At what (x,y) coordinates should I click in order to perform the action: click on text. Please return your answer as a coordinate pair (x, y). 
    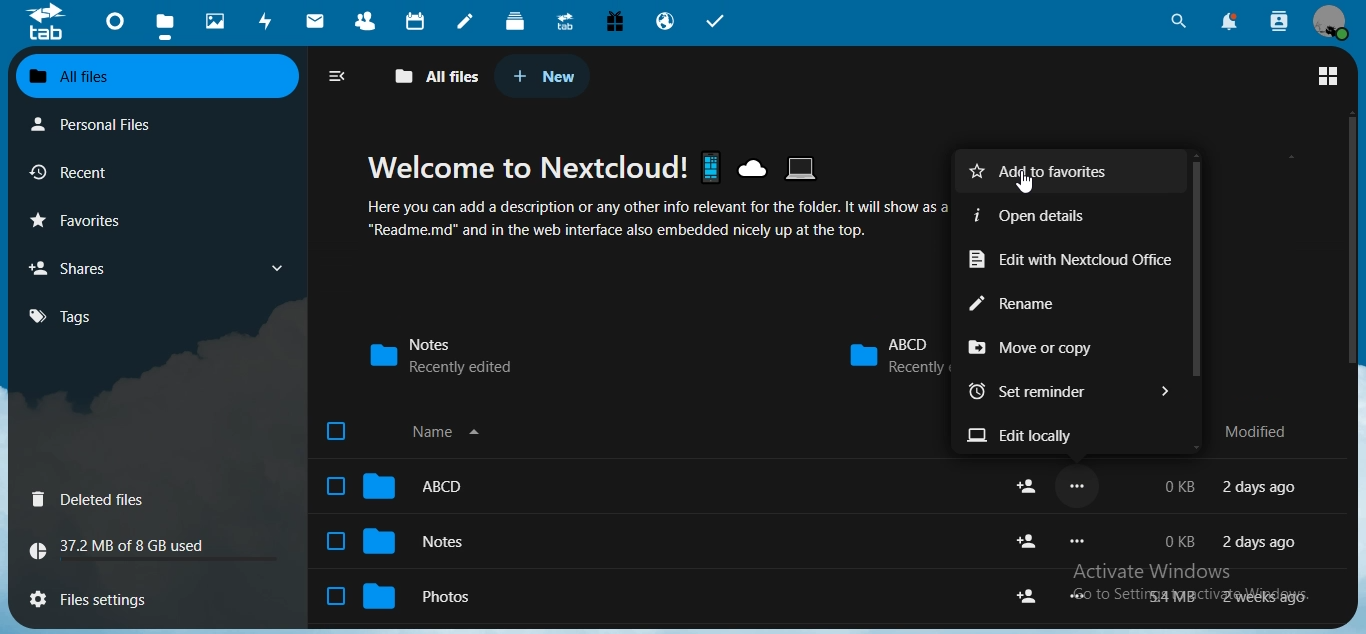
    Looking at the image, I should click on (1231, 596).